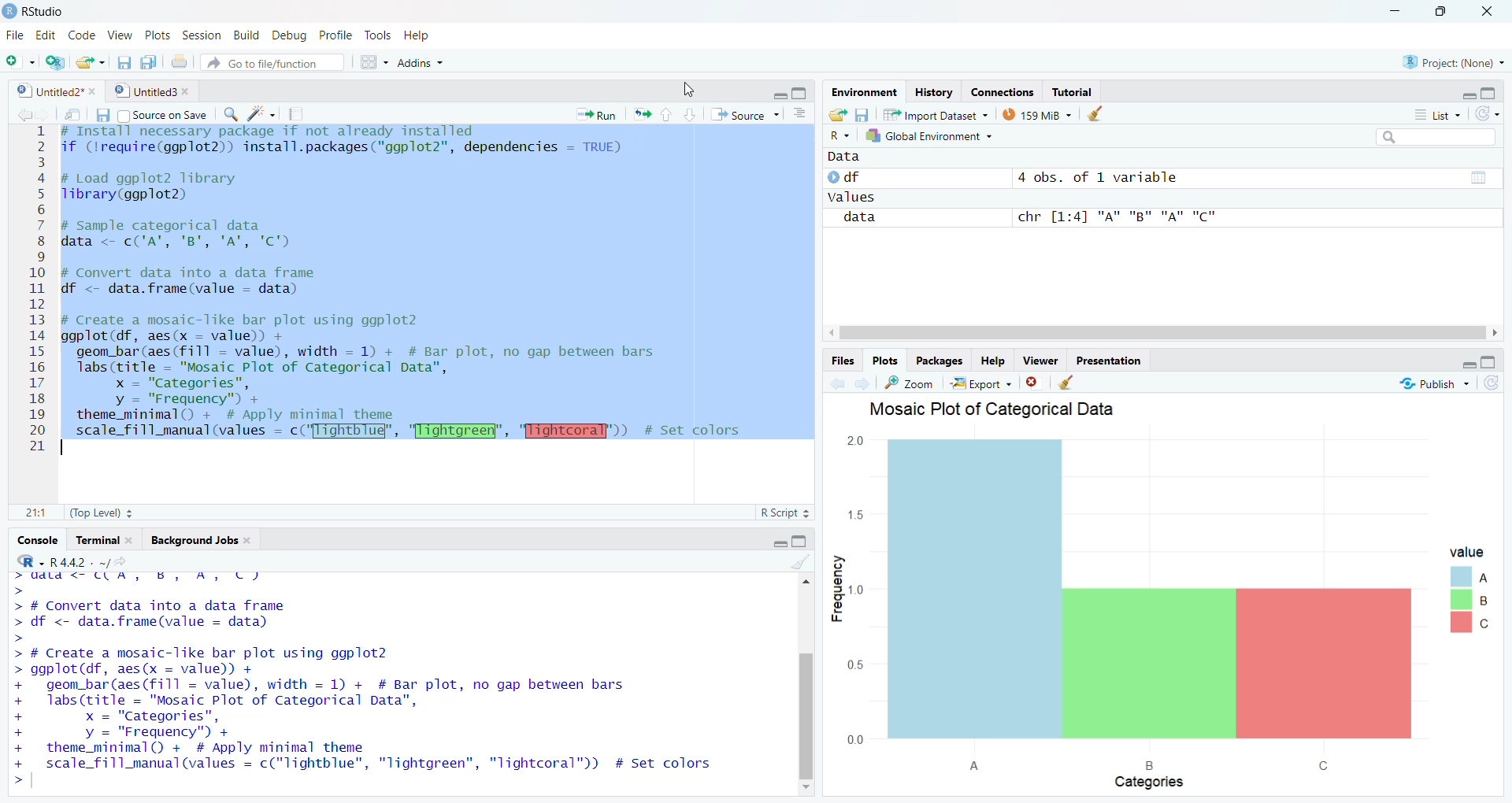 The width and height of the screenshot is (1512, 803). Describe the element at coordinates (121, 64) in the screenshot. I see `Save` at that location.